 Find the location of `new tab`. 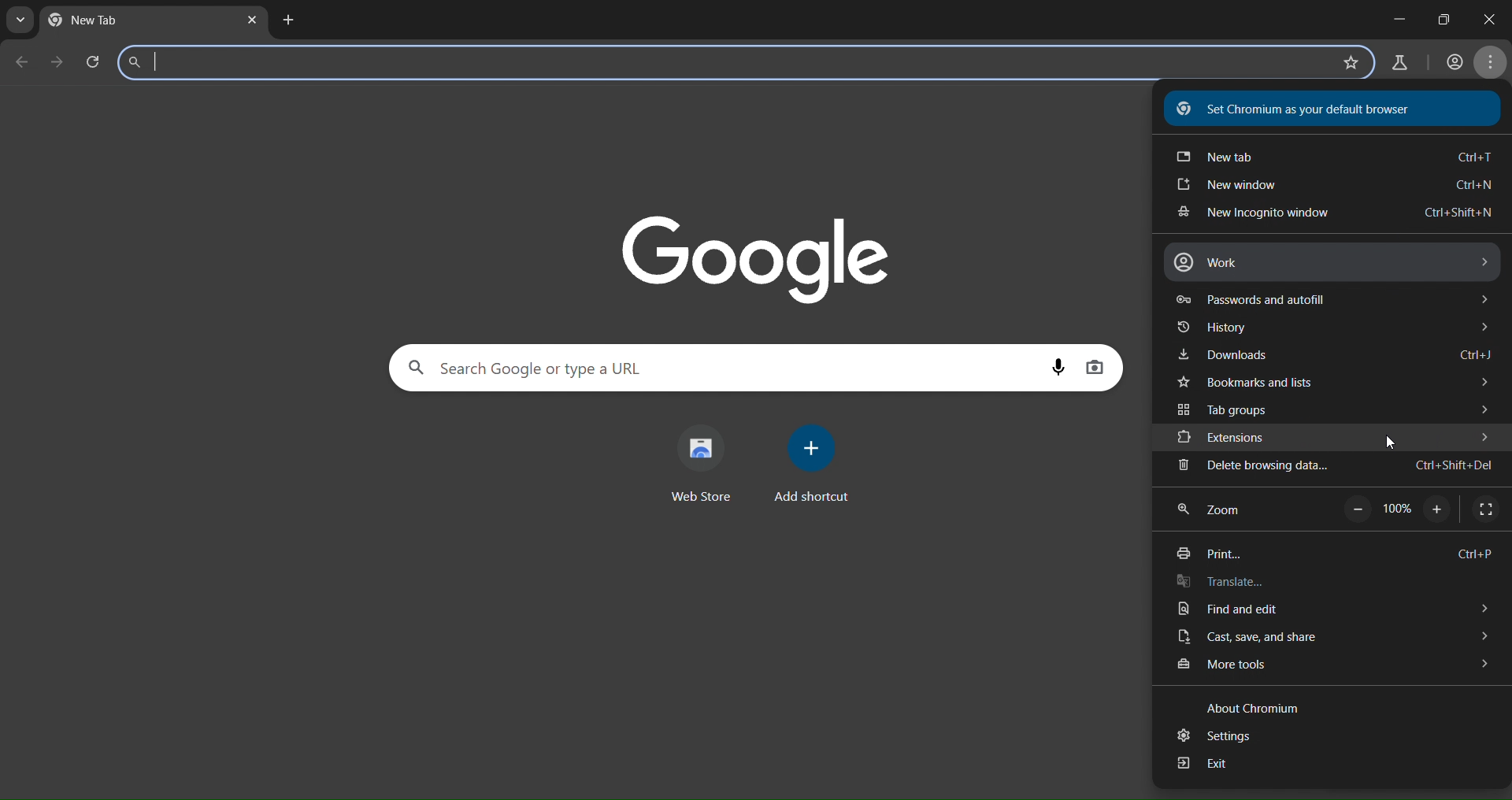

new tab is located at coordinates (287, 20).